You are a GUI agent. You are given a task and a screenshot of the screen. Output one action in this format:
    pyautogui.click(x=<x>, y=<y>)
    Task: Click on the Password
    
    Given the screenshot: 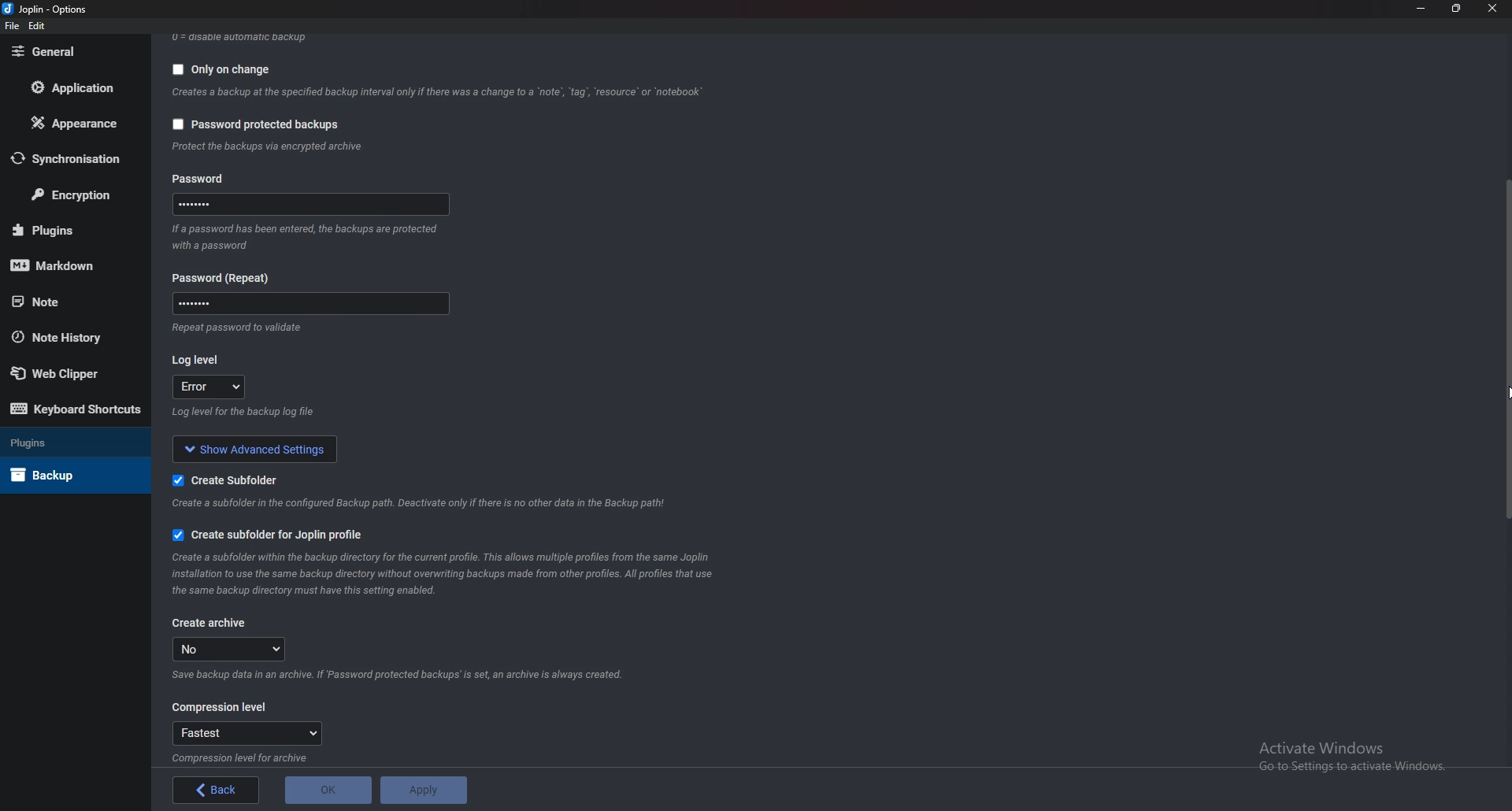 What is the action you would take?
    pyautogui.click(x=307, y=306)
    